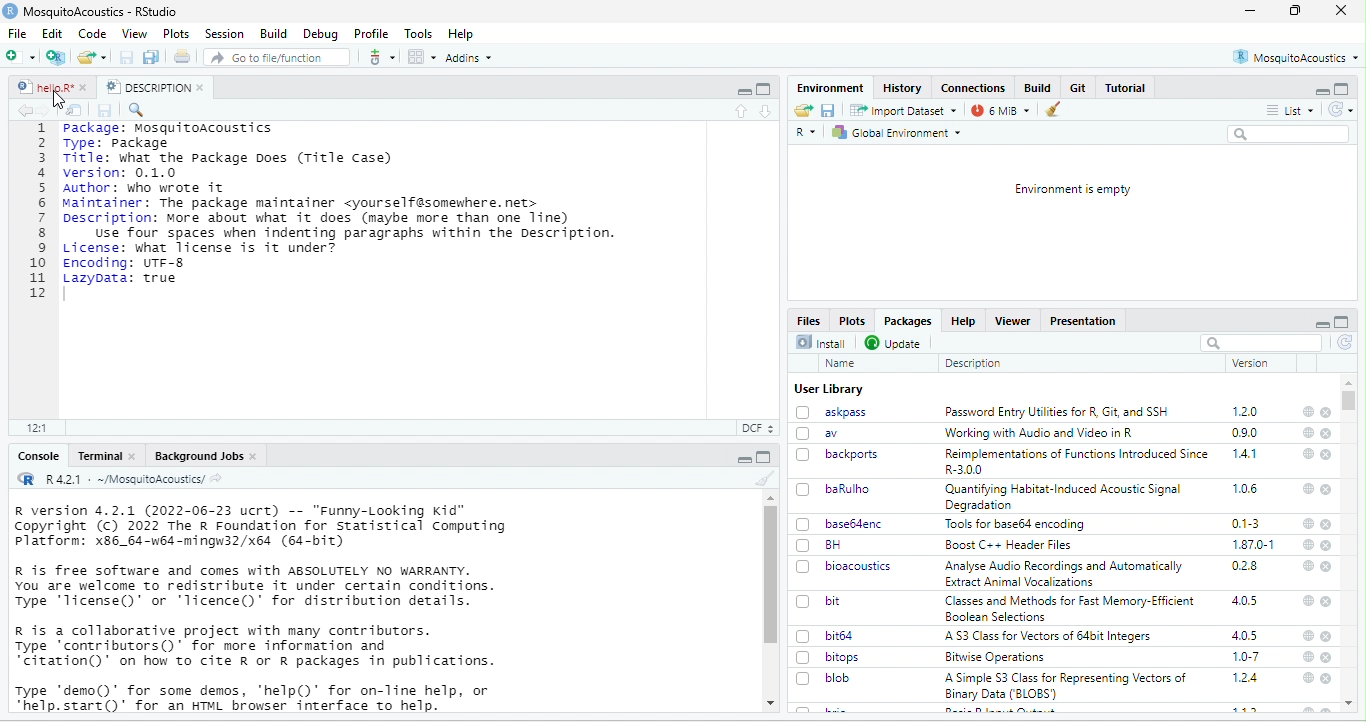 This screenshot has height=722, width=1366. What do you see at coordinates (1246, 567) in the screenshot?
I see `0.2.8` at bounding box center [1246, 567].